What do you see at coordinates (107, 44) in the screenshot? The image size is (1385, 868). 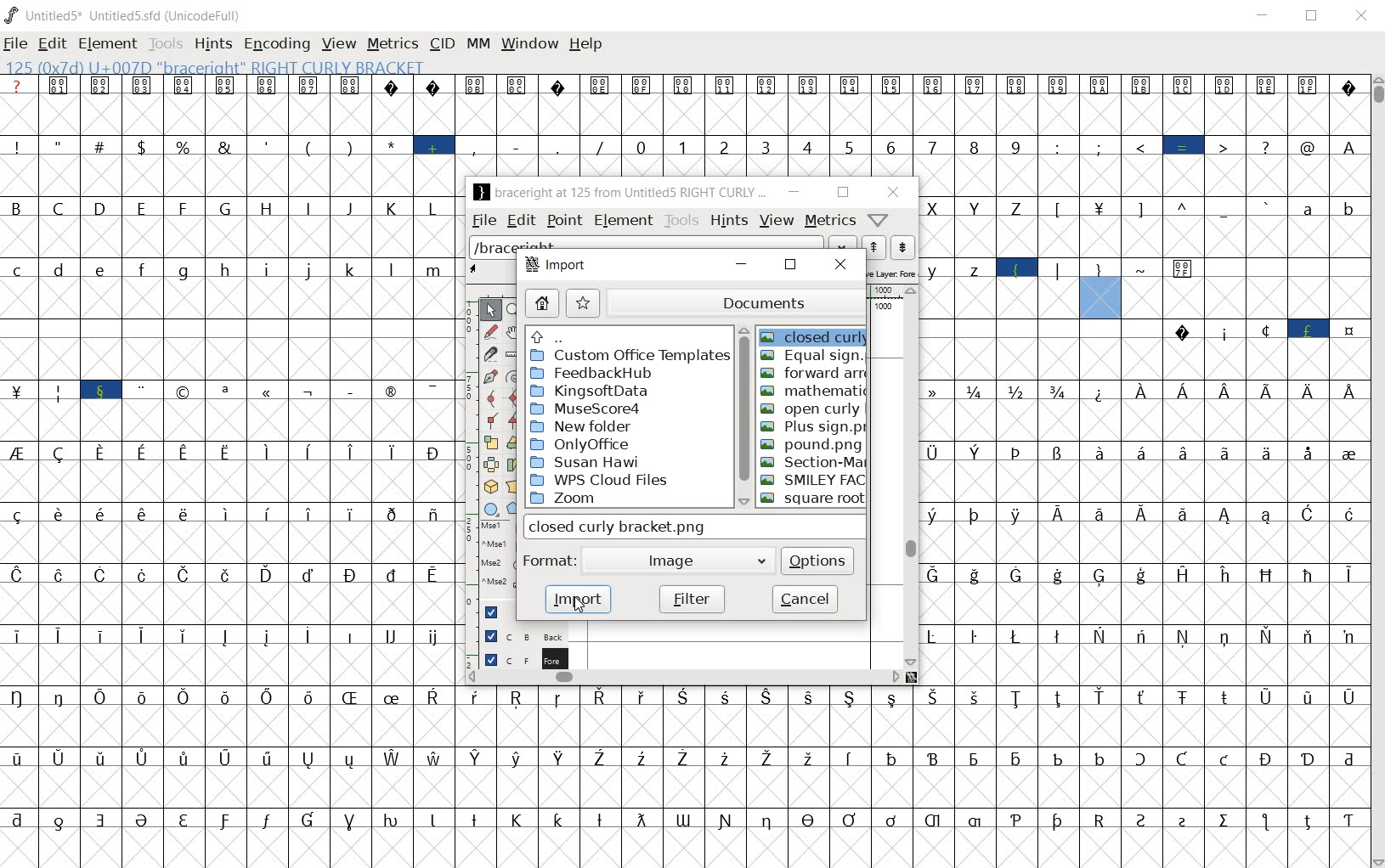 I see `ELEMENT` at bounding box center [107, 44].